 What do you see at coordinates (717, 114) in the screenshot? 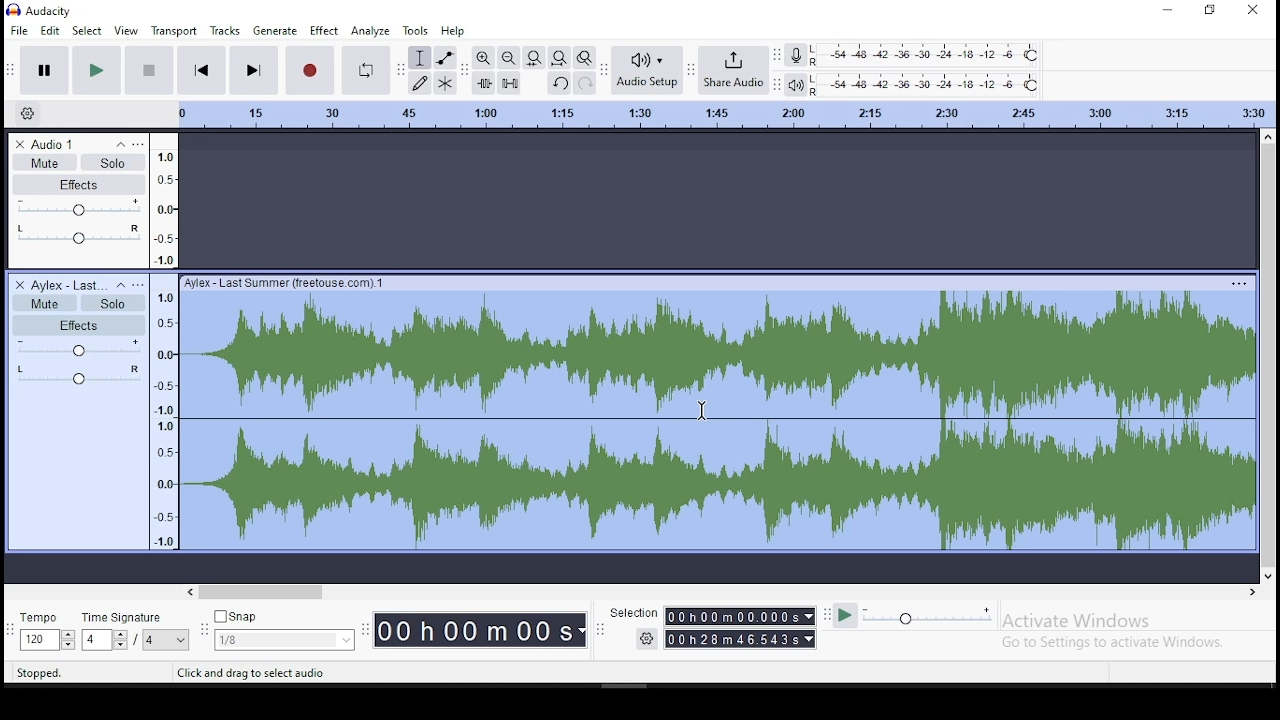
I see `scale` at bounding box center [717, 114].